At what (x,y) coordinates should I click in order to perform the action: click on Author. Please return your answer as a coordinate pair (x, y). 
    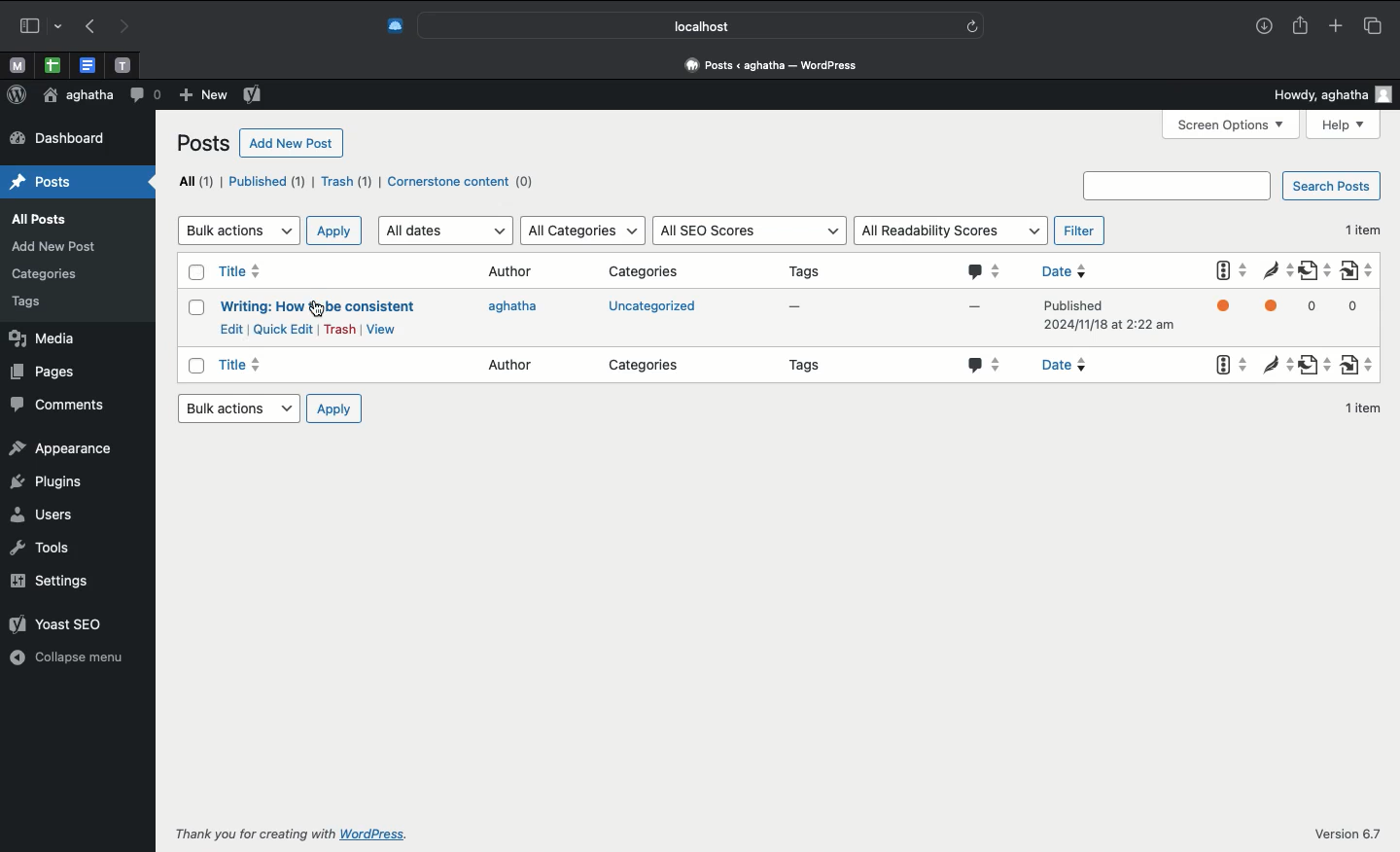
    Looking at the image, I should click on (513, 362).